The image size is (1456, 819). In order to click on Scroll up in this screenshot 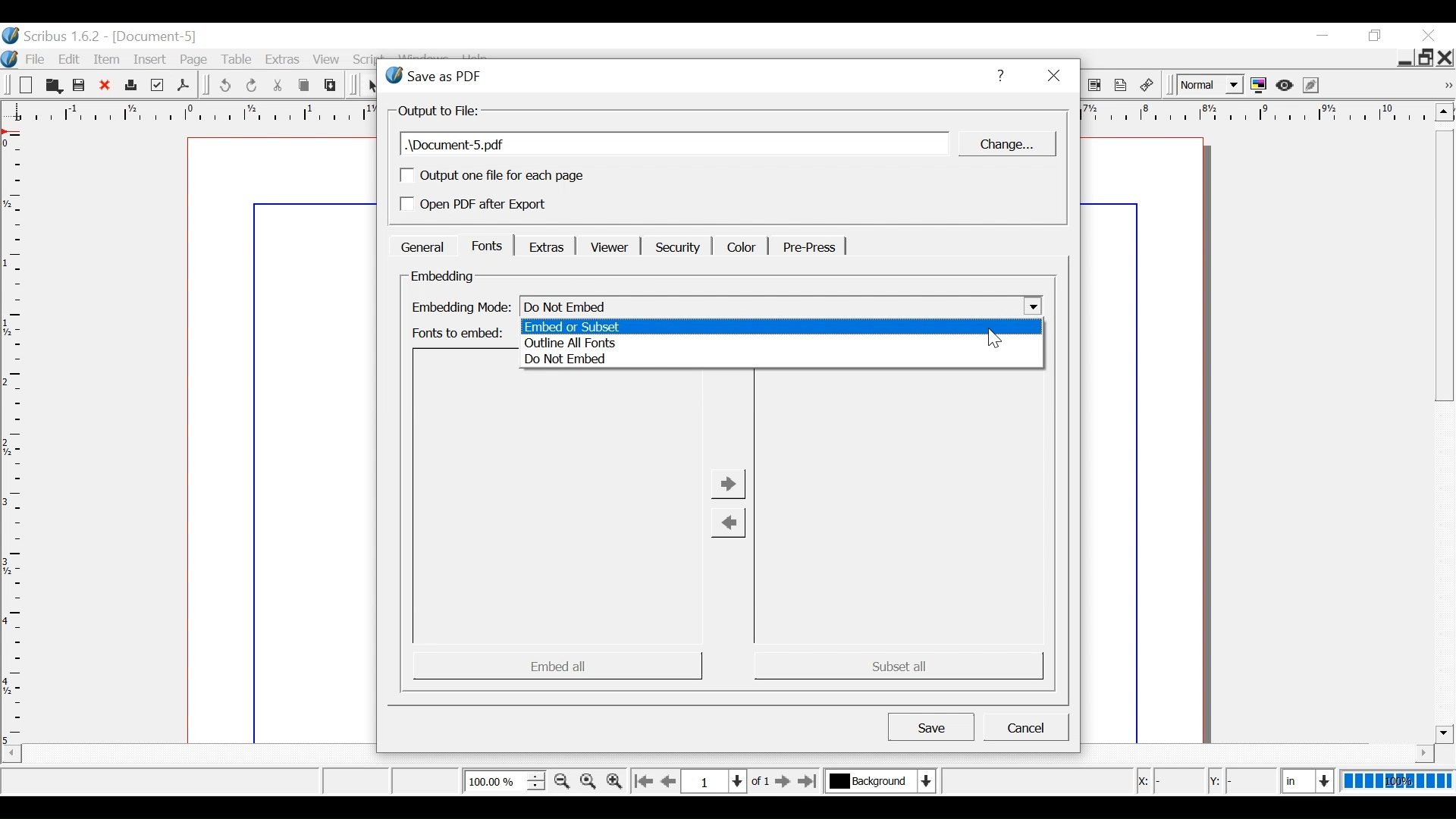, I will do `click(1444, 111)`.